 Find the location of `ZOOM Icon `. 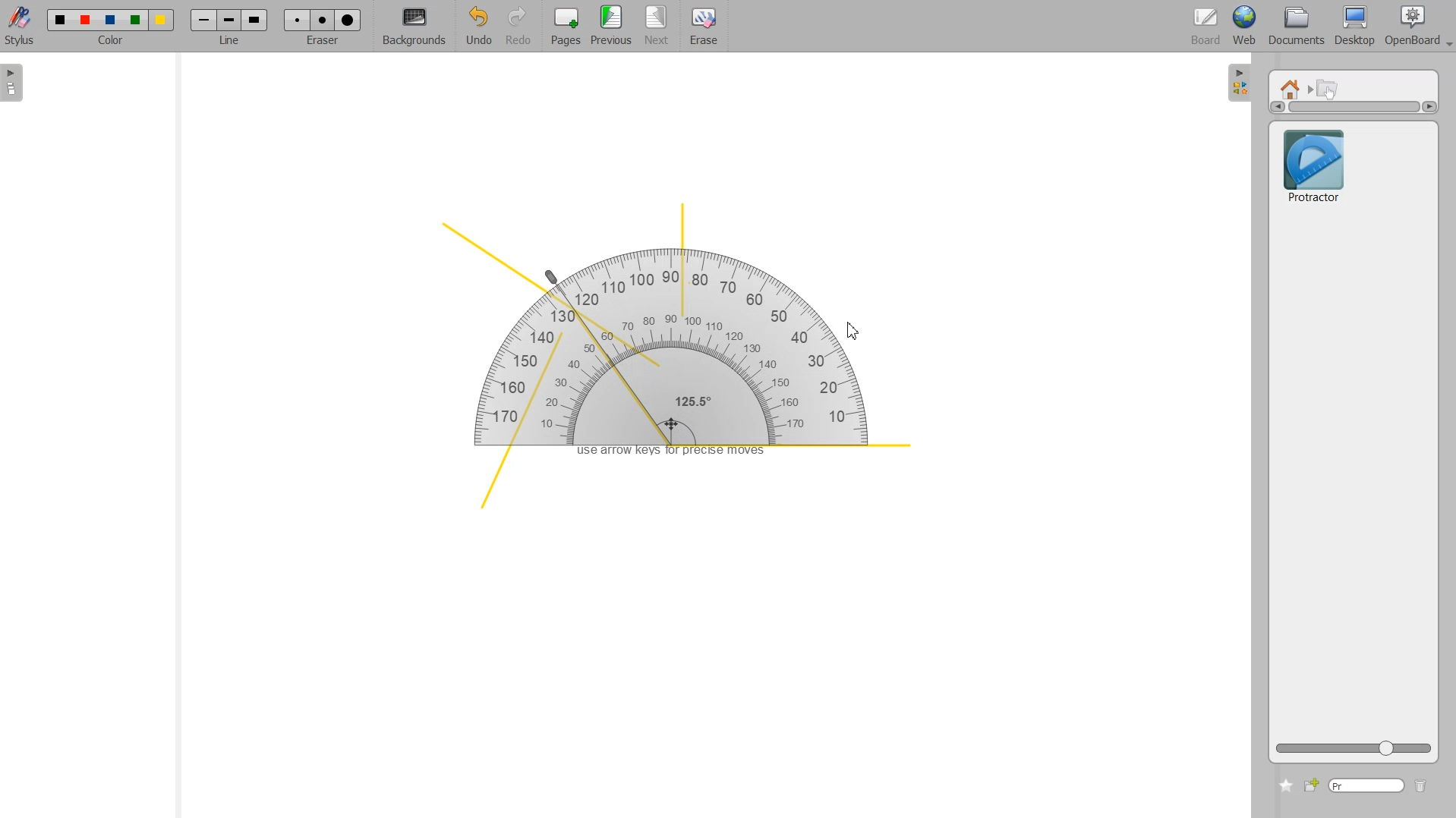

ZOOM Icon  is located at coordinates (1354, 748).